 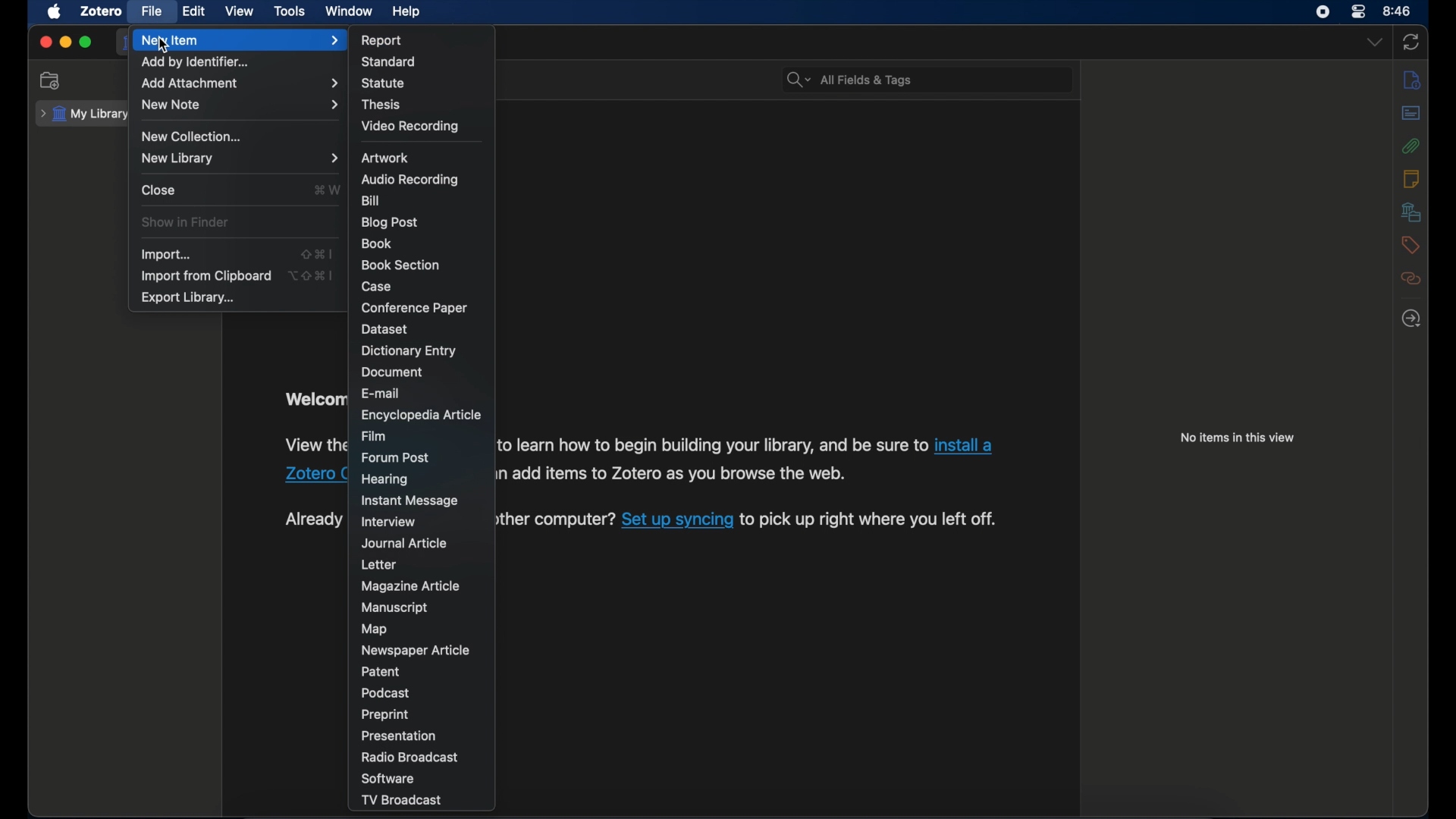 What do you see at coordinates (1410, 115) in the screenshot?
I see `abstract` at bounding box center [1410, 115].